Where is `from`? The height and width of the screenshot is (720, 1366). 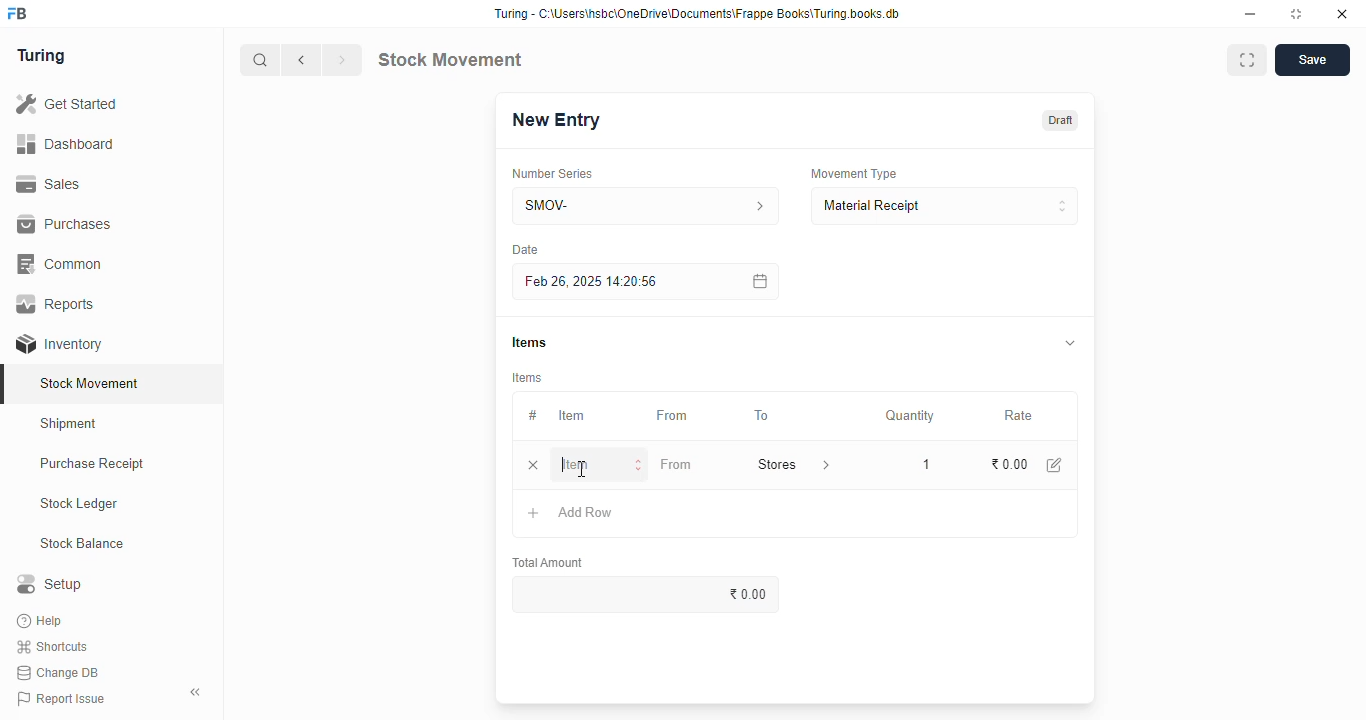
from is located at coordinates (676, 464).